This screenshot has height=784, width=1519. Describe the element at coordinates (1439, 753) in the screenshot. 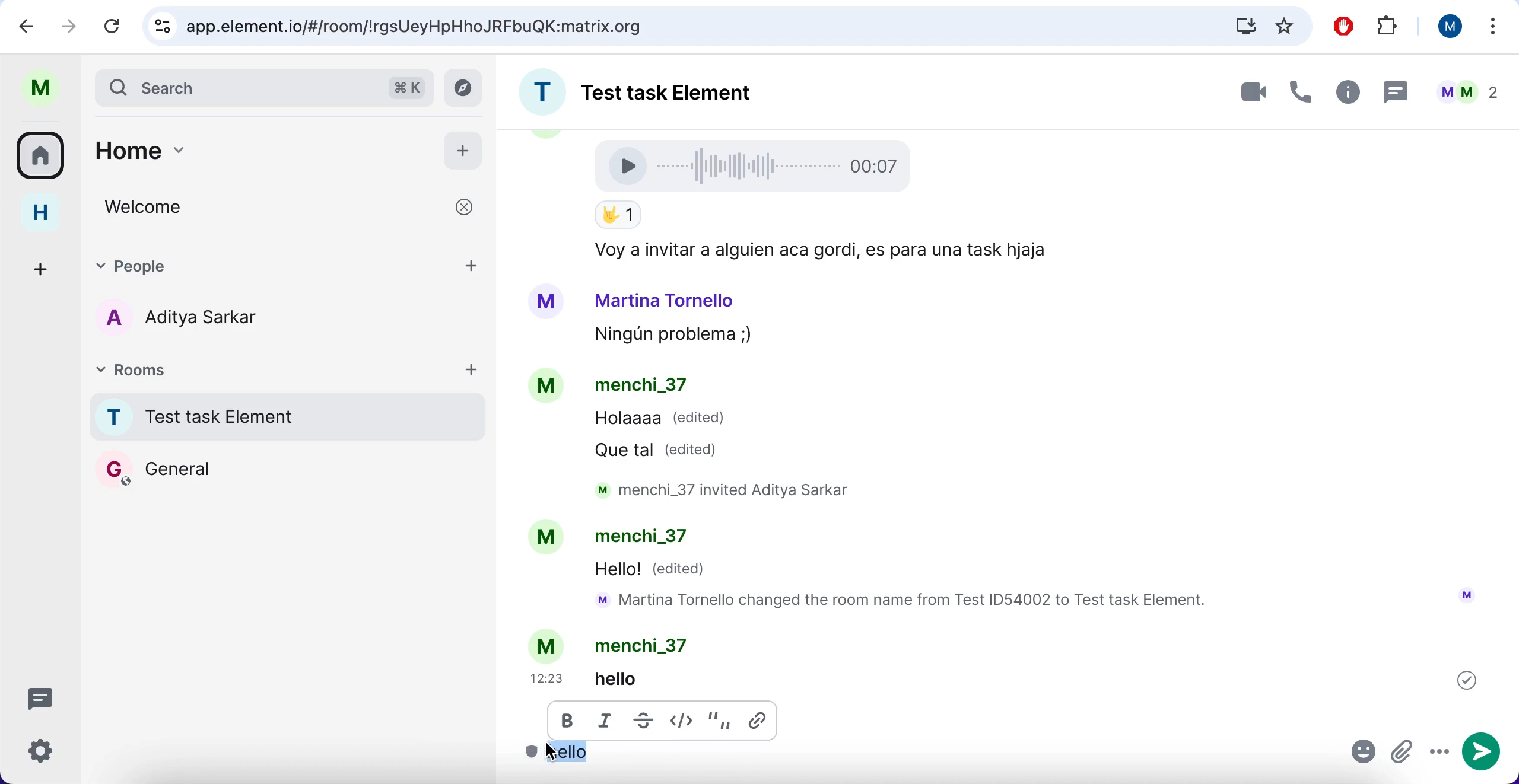

I see `more options` at that location.